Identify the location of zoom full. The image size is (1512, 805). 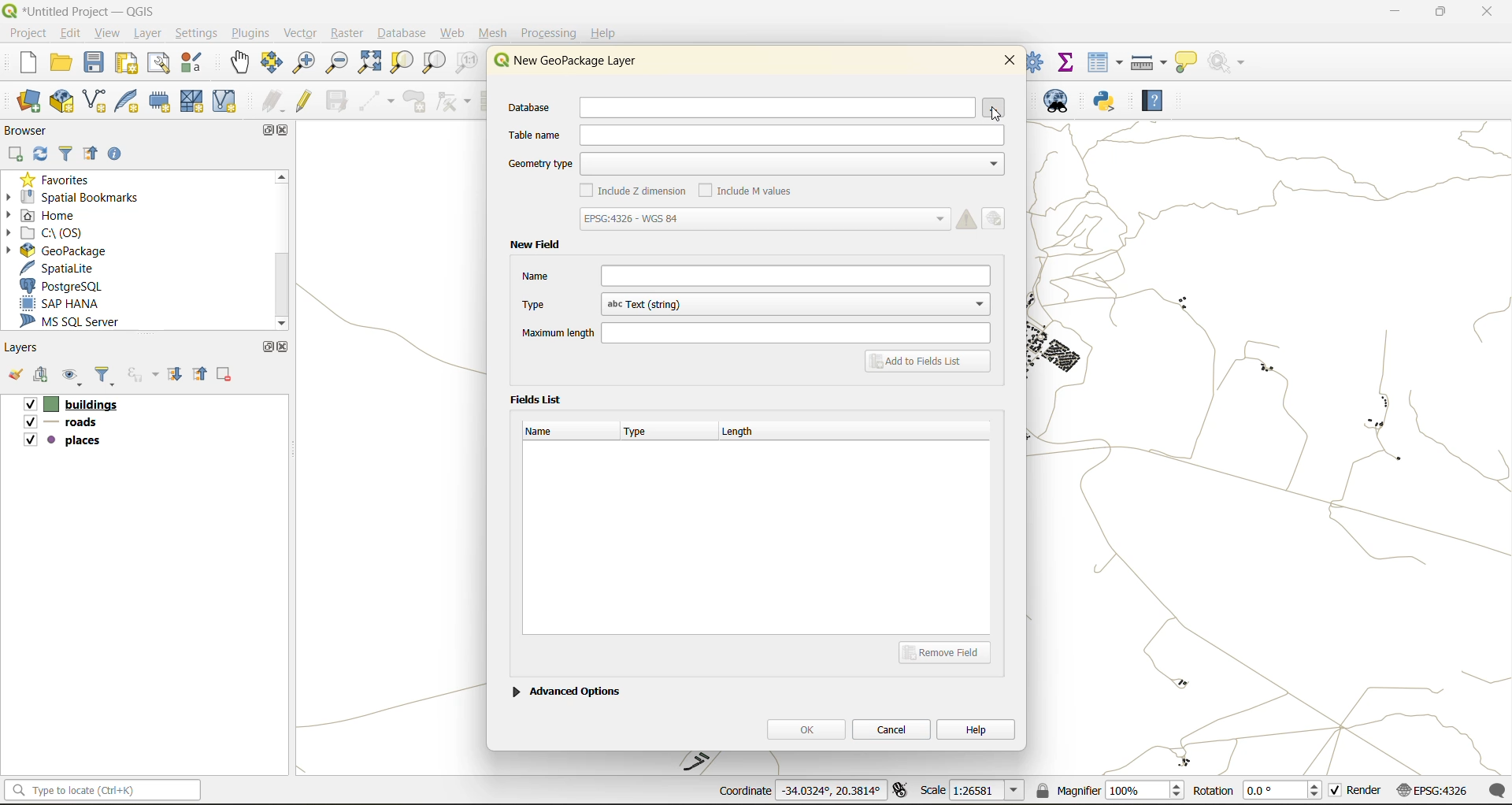
(369, 63).